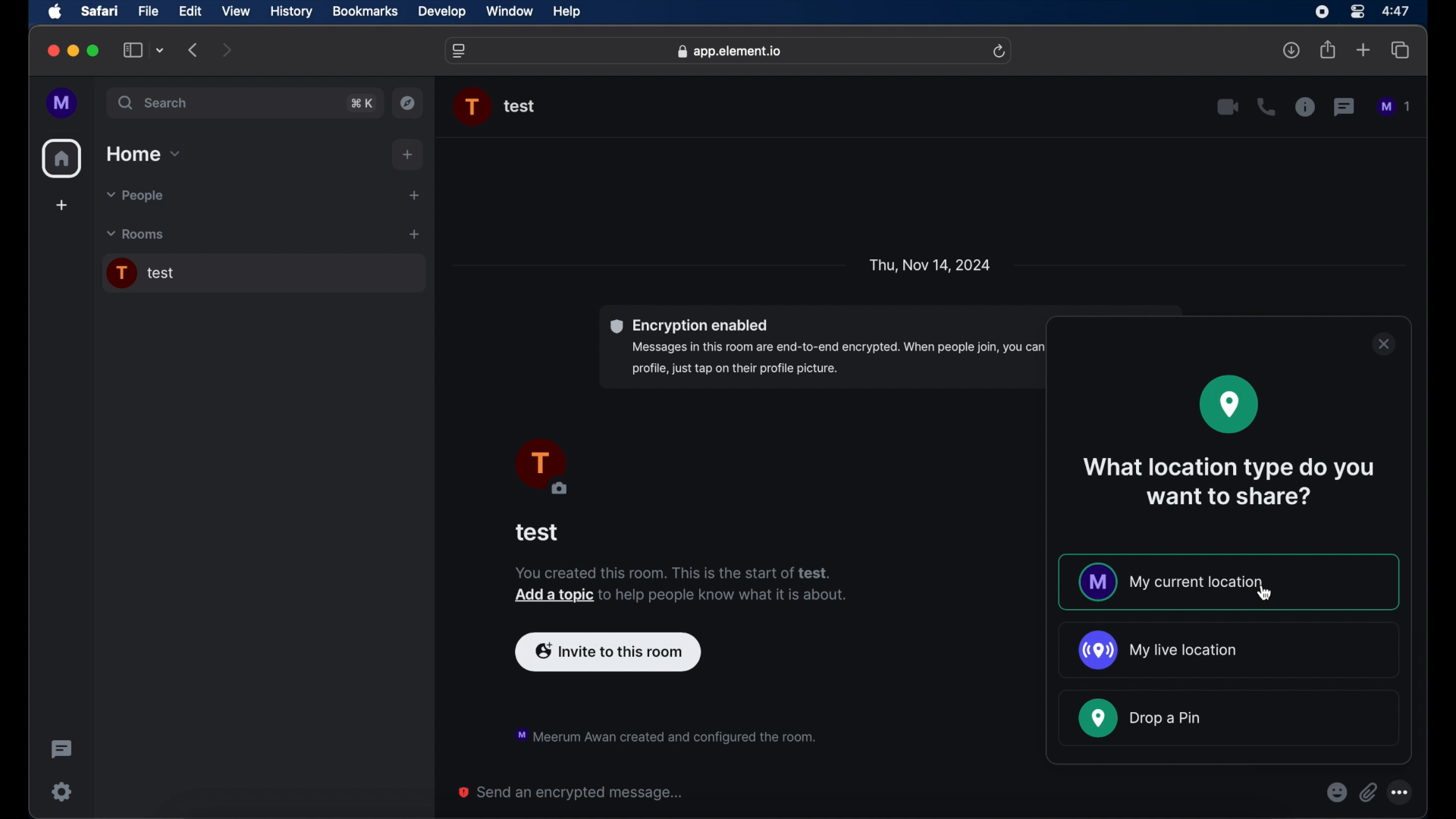  I want to click on location, so click(1229, 404).